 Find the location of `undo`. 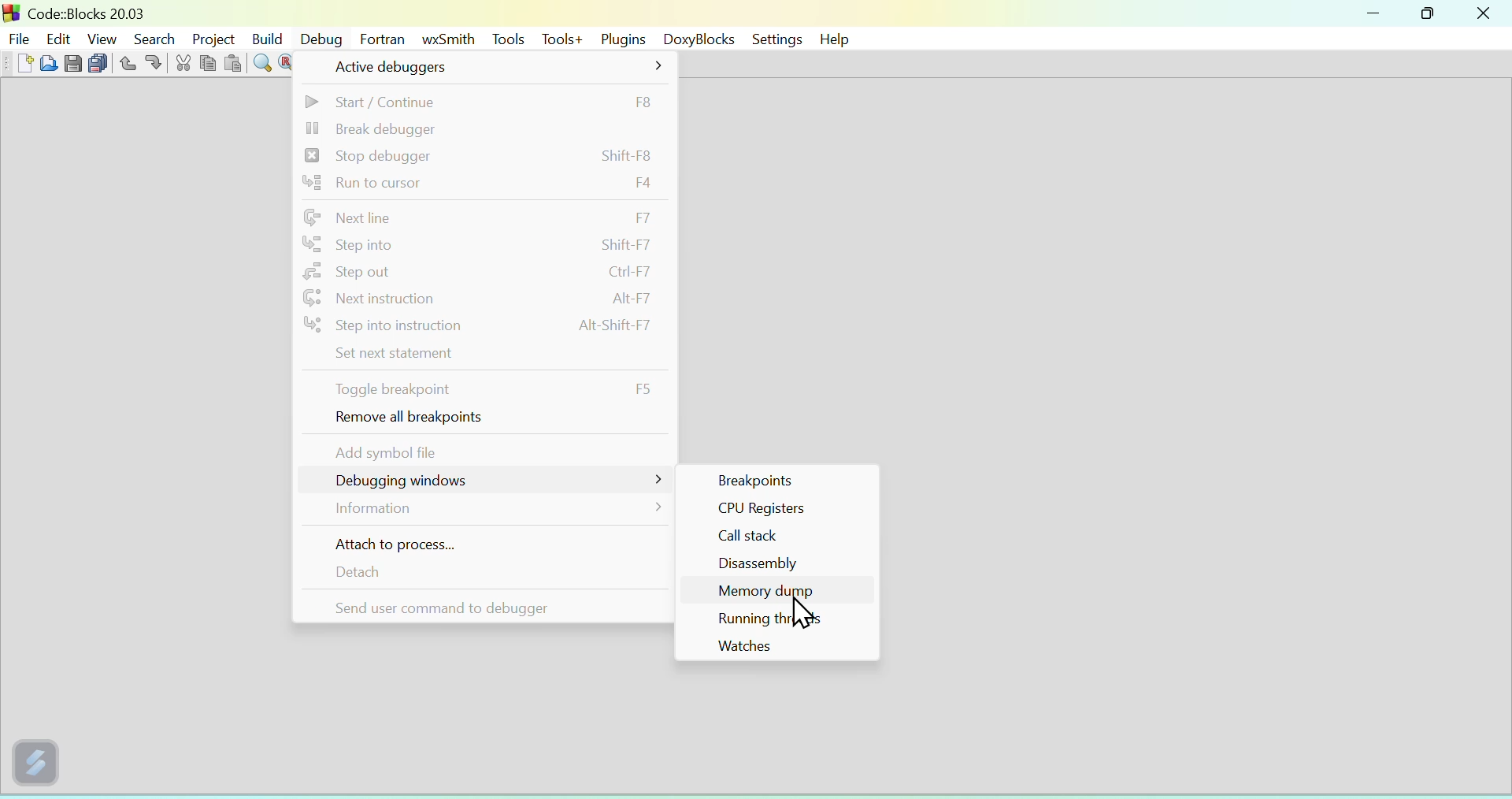

undo is located at coordinates (124, 63).